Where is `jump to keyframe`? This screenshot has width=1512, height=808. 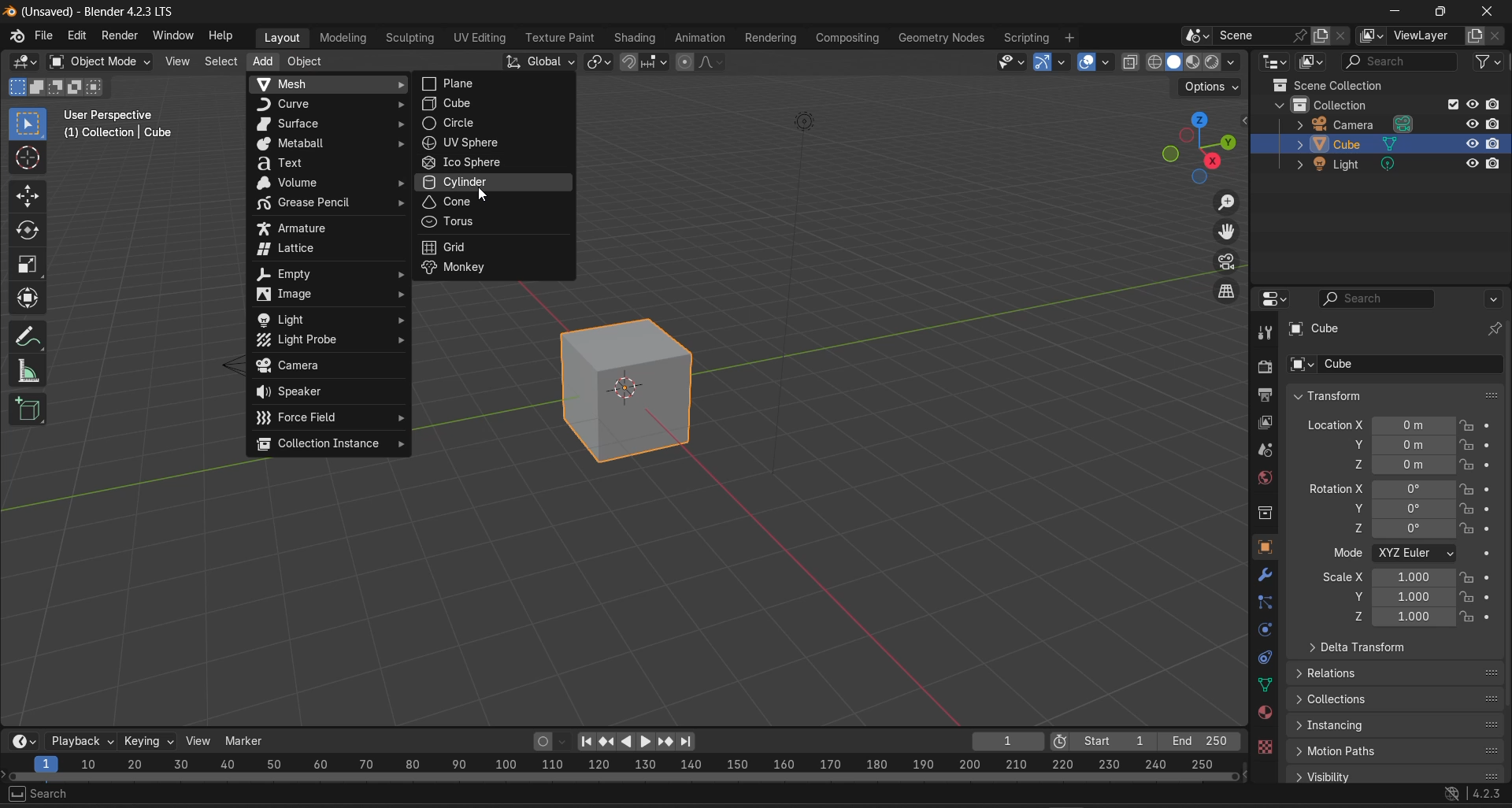 jump to keyframe is located at coordinates (667, 742).